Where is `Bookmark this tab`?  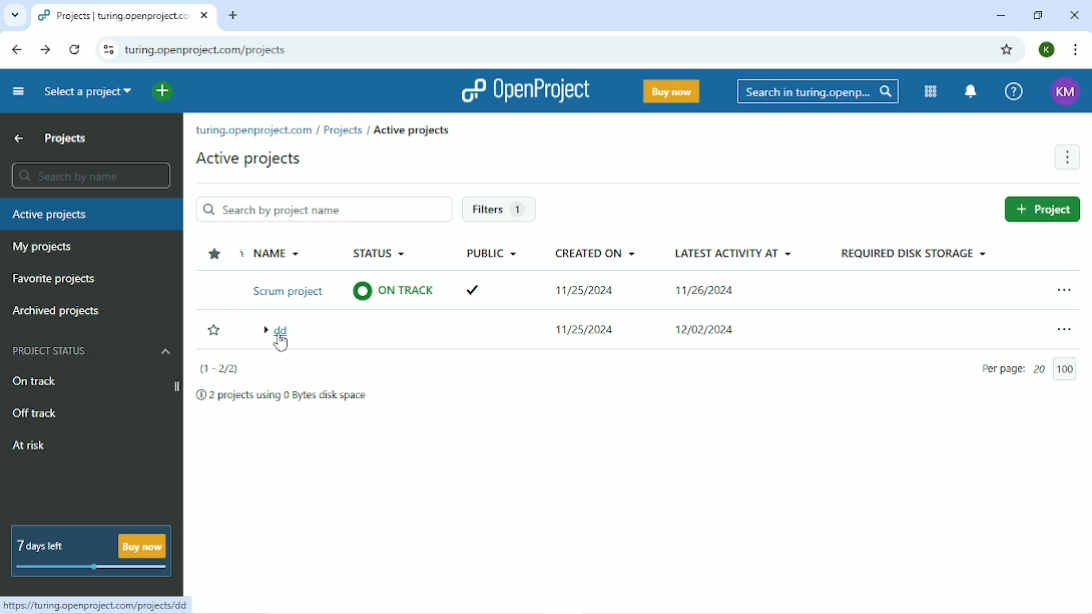 Bookmark this tab is located at coordinates (1009, 50).